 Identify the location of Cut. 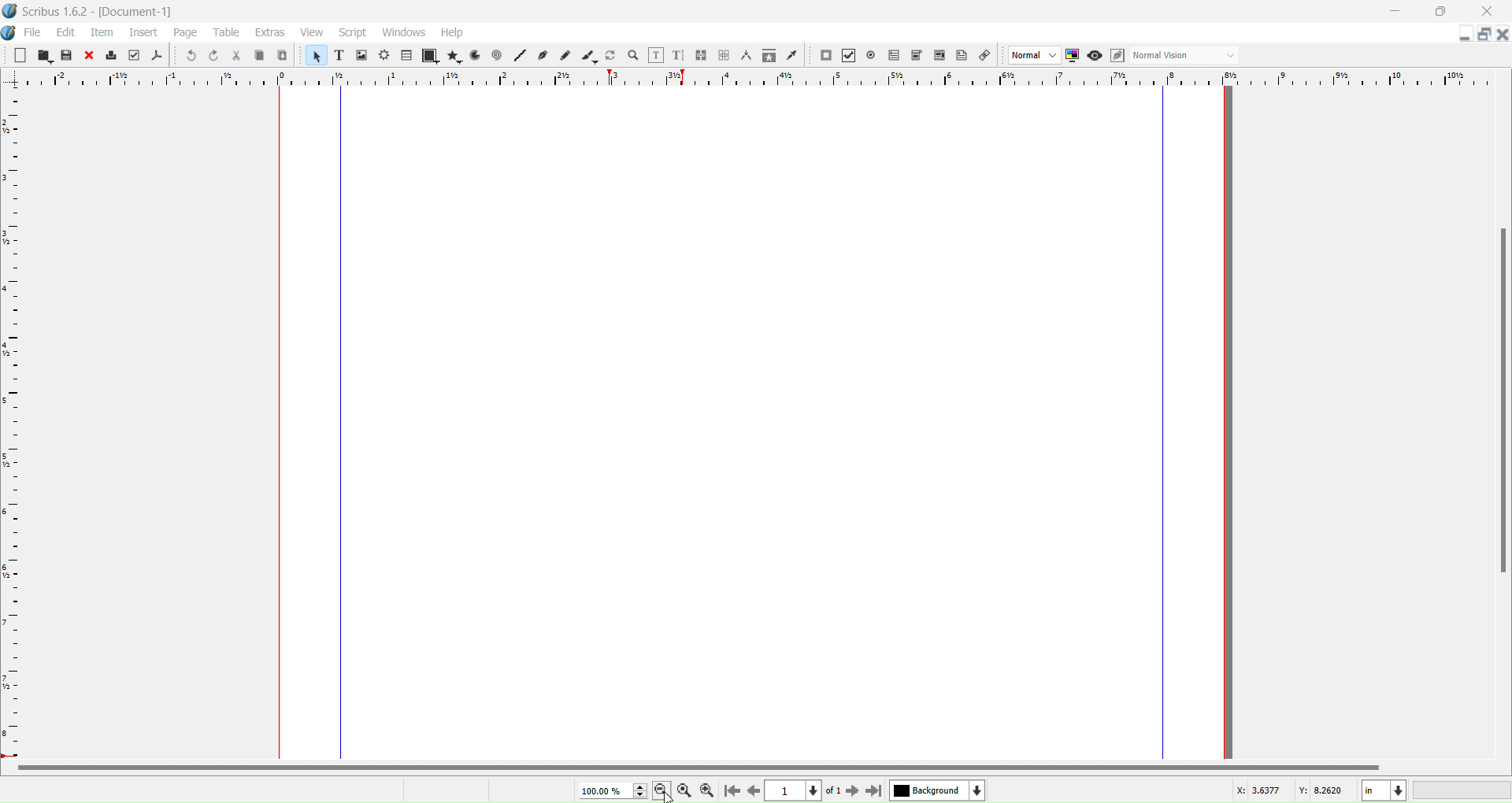
(236, 56).